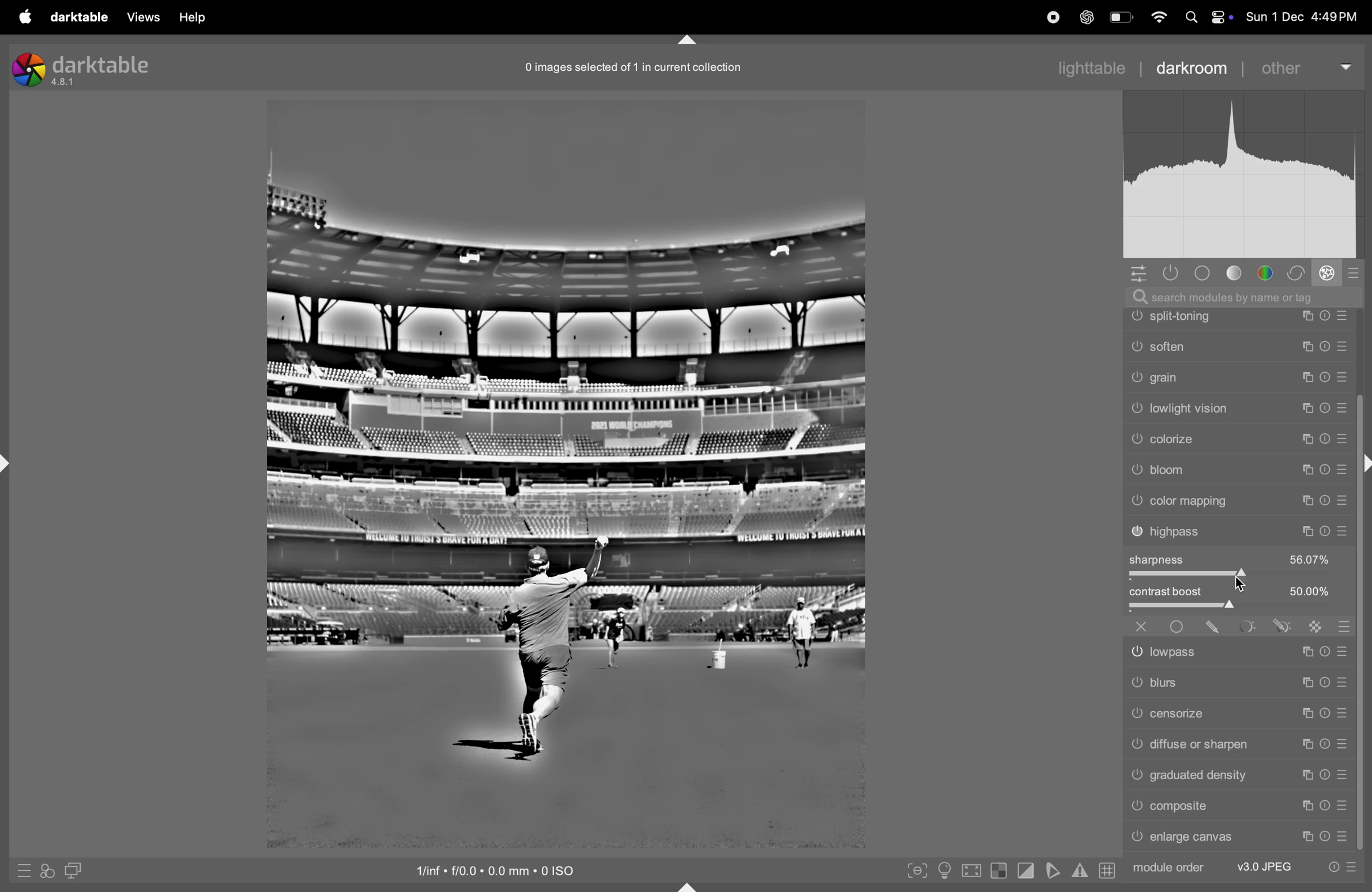 This screenshot has height=892, width=1372. What do you see at coordinates (1352, 275) in the screenshot?
I see `presets` at bounding box center [1352, 275].